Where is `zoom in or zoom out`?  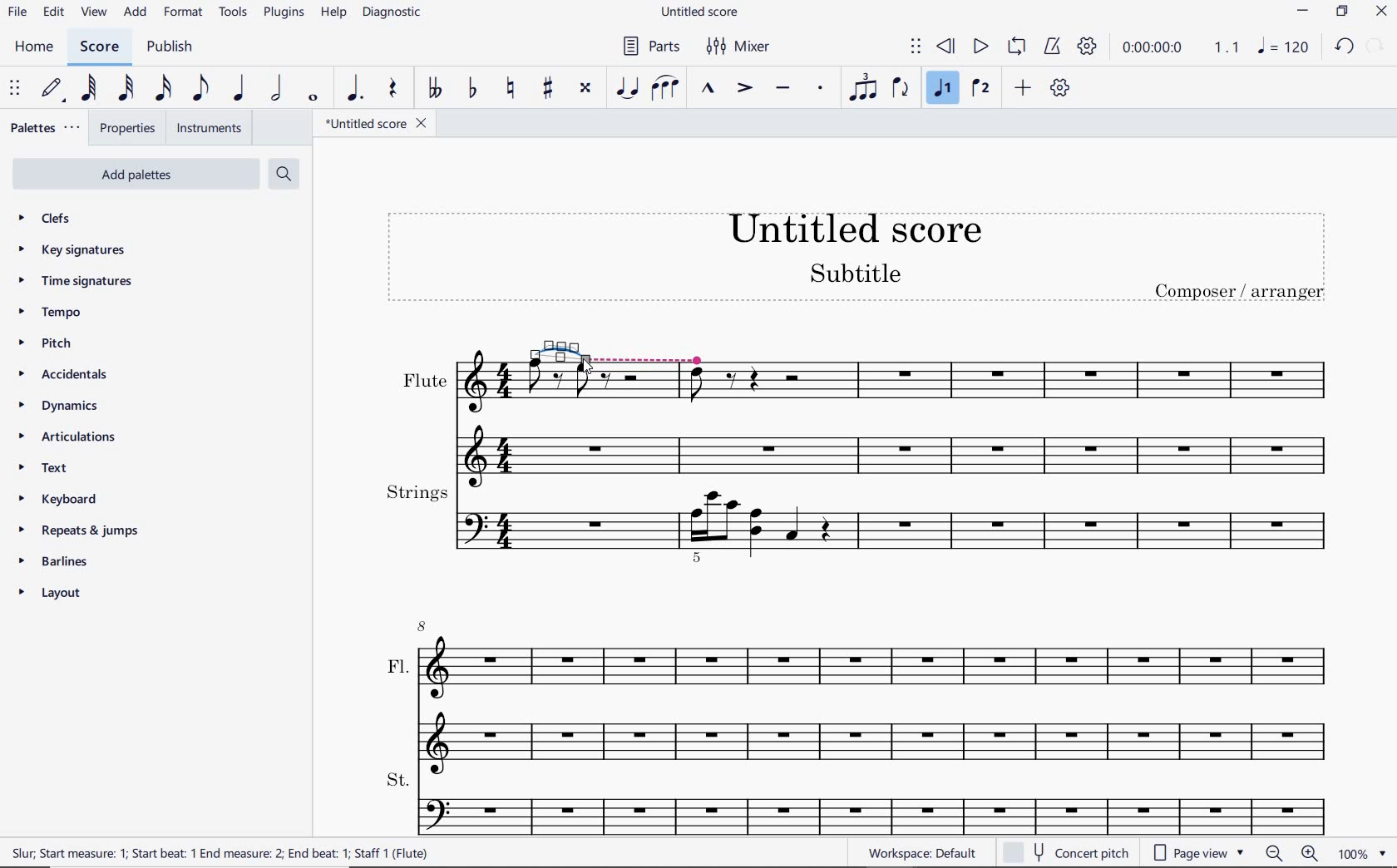 zoom in or zoom out is located at coordinates (1291, 851).